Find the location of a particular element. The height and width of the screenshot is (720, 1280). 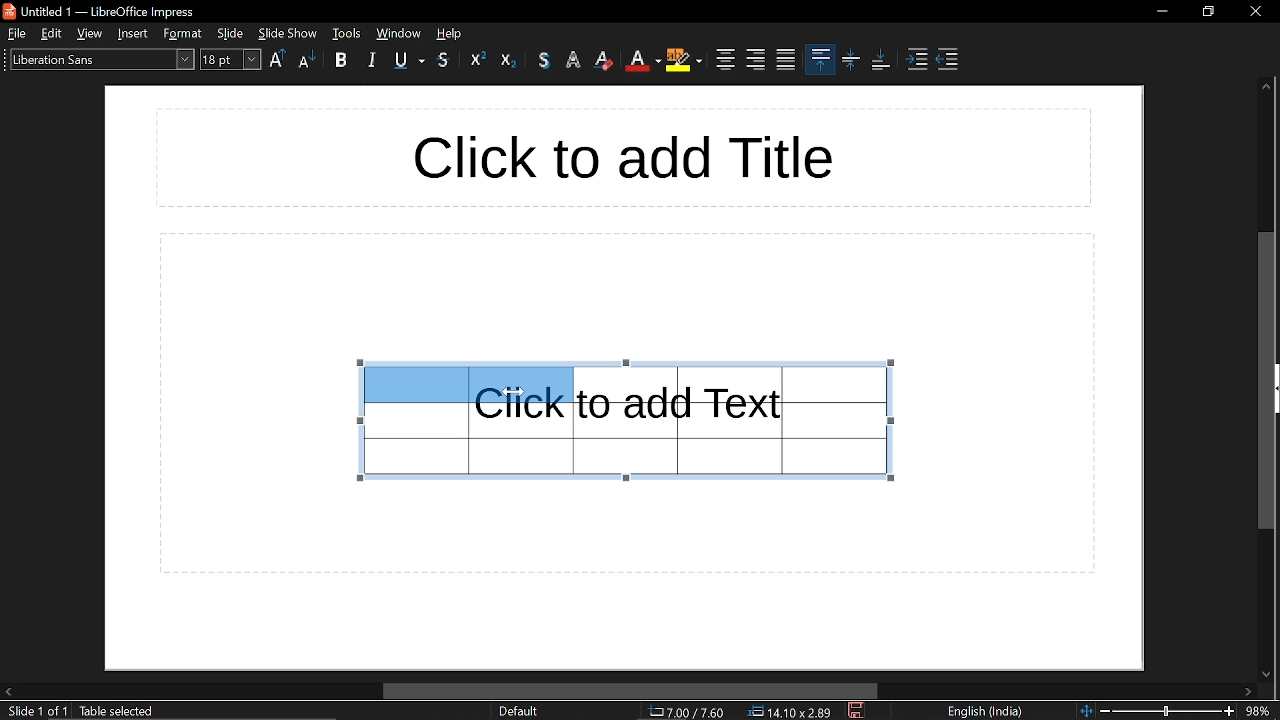

center is located at coordinates (723, 60).